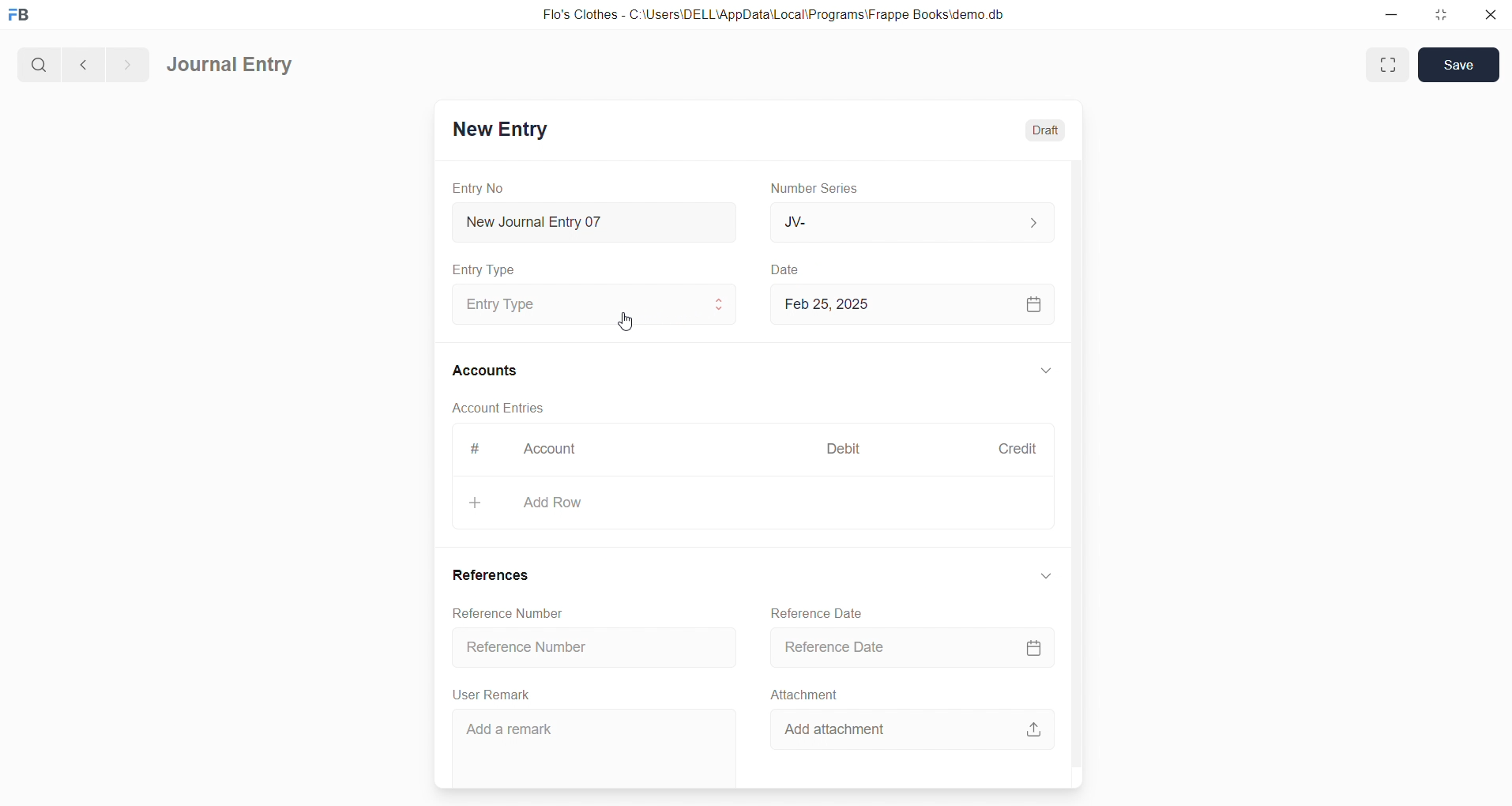 The width and height of the screenshot is (1512, 806). Describe the element at coordinates (1390, 16) in the screenshot. I see `minimize` at that location.